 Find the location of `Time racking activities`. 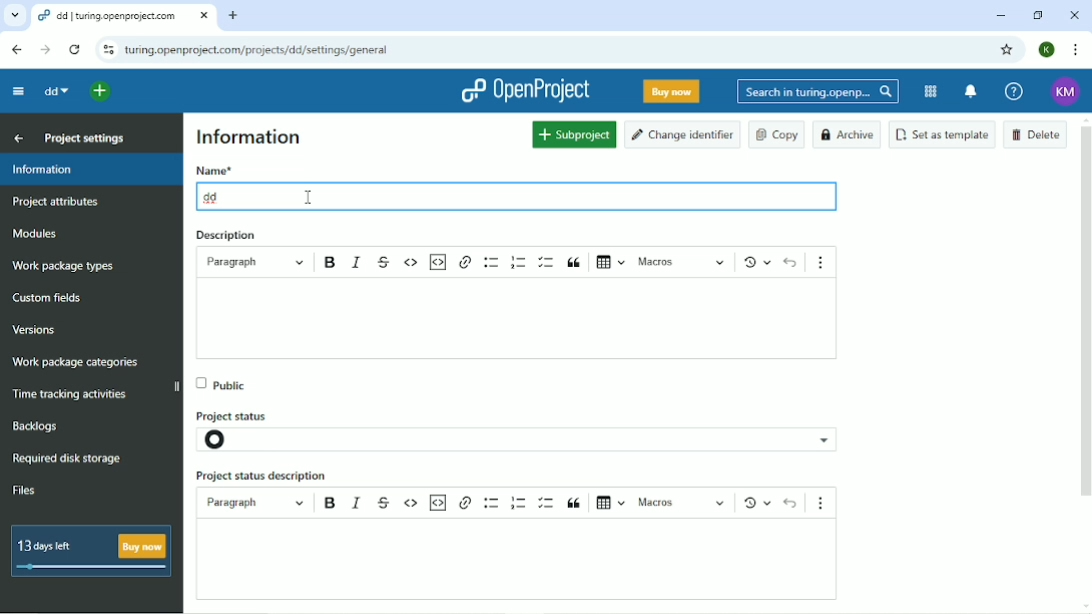

Time racking activities is located at coordinates (72, 395).